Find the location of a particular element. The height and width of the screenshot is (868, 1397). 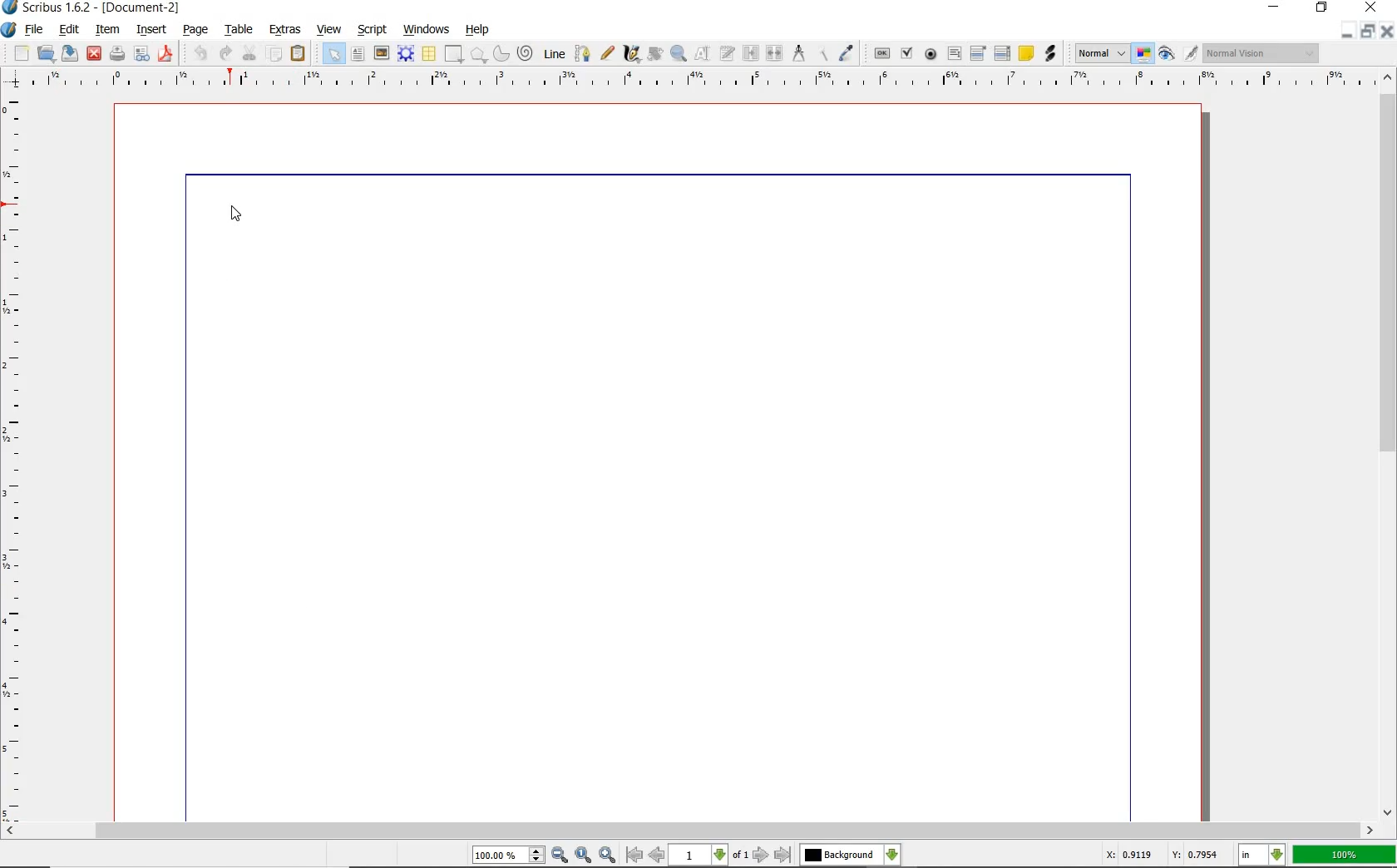

cut is located at coordinates (249, 52).